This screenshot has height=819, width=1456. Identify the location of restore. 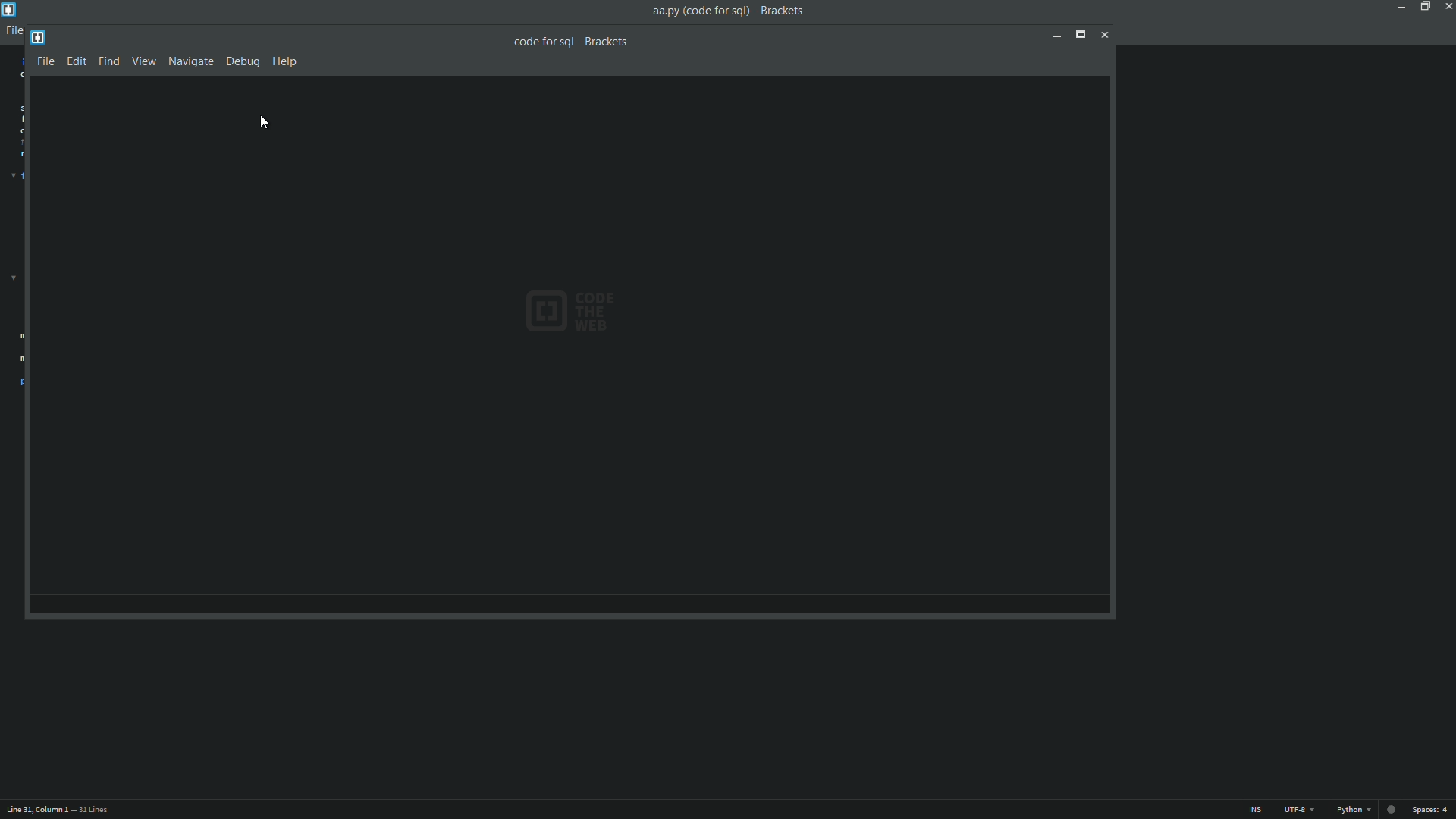
(1082, 36).